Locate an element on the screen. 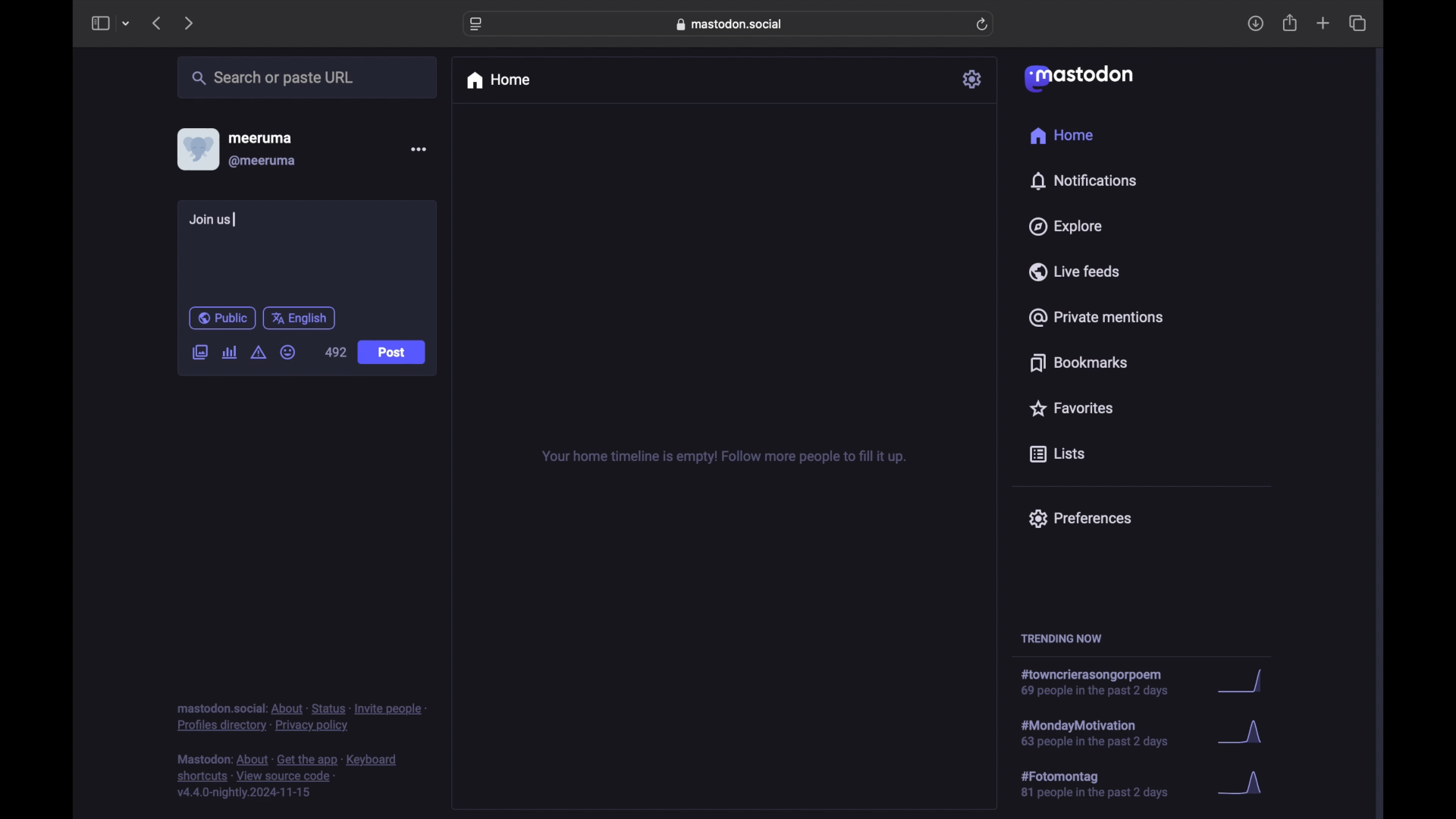 This screenshot has width=1456, height=819. emoji is located at coordinates (288, 353).